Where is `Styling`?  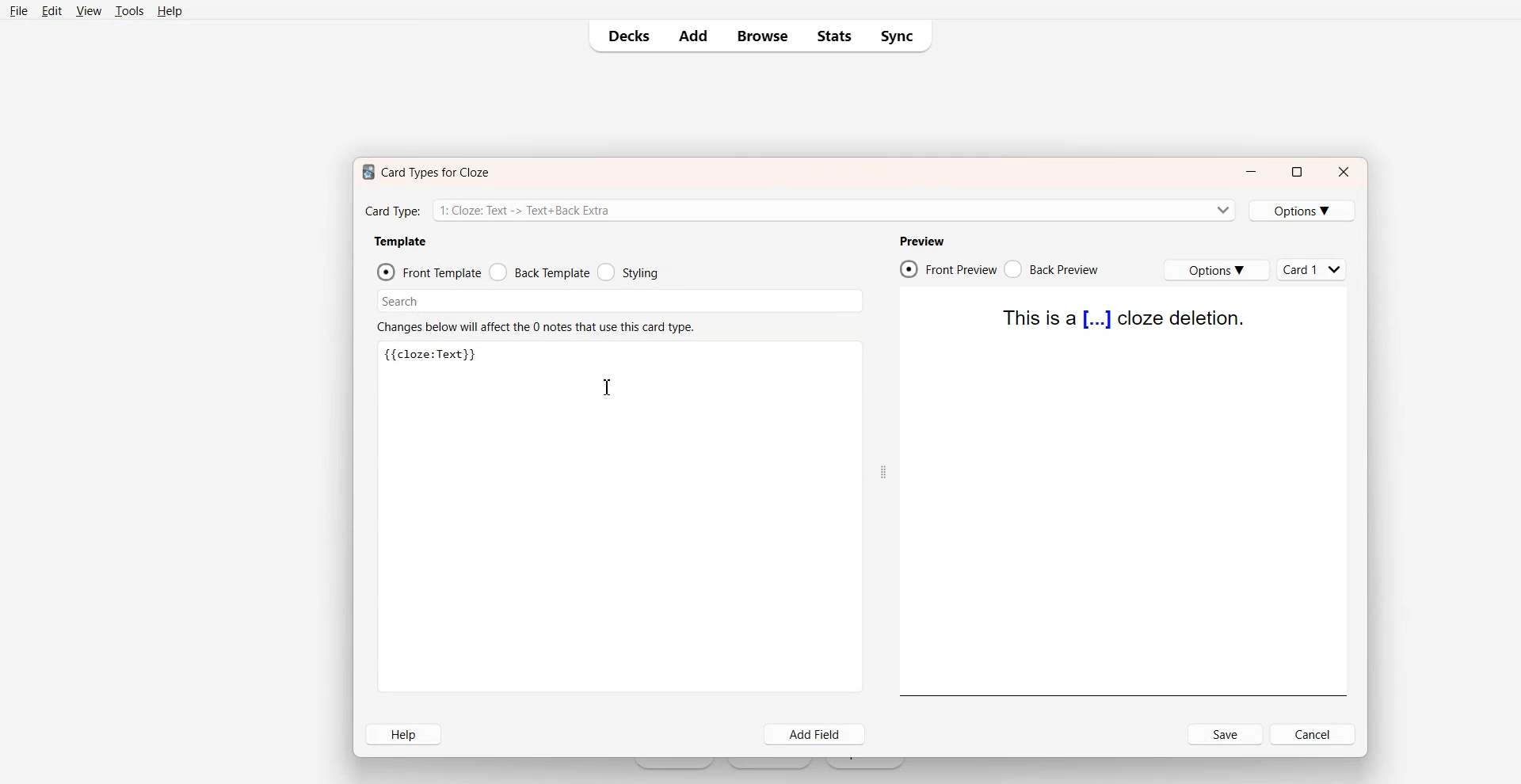
Styling is located at coordinates (627, 272).